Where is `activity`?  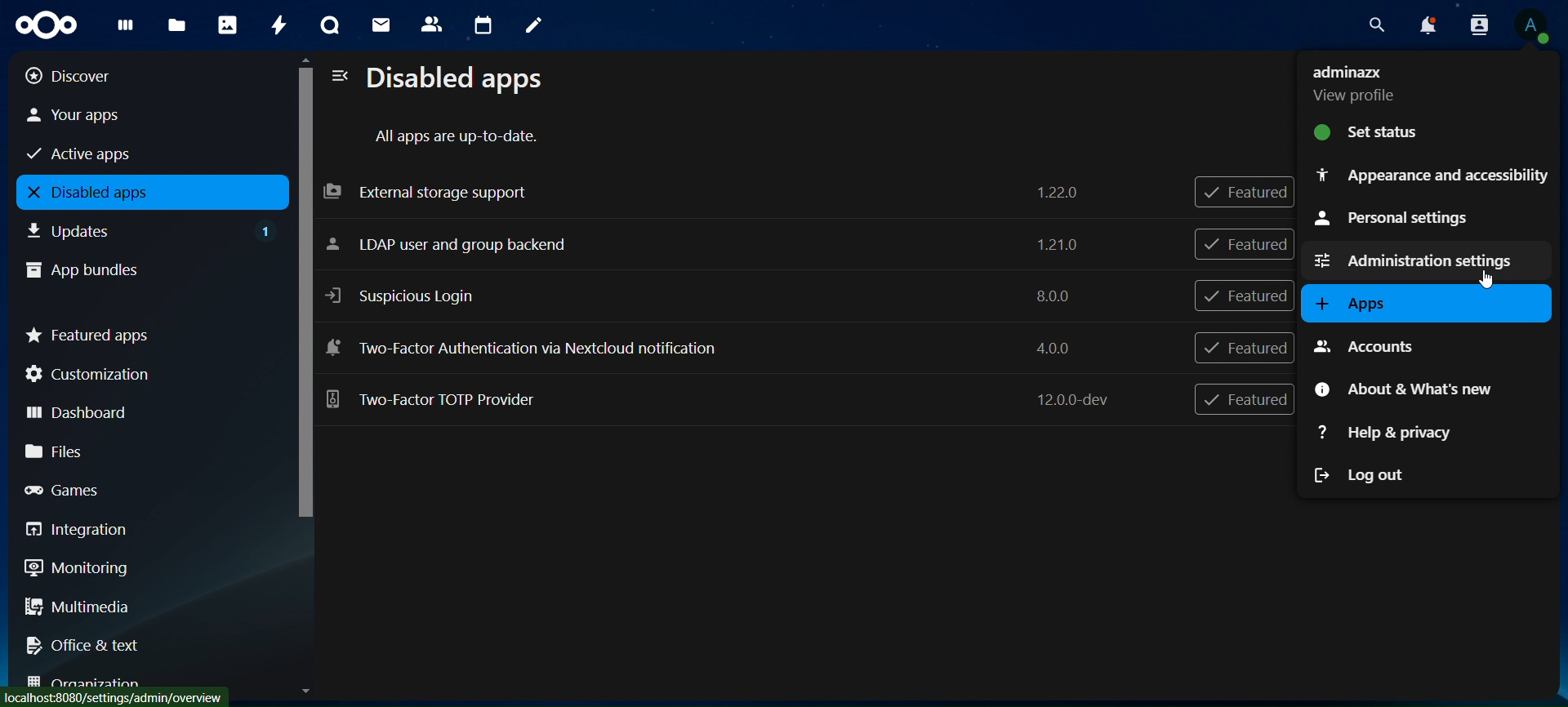 activity is located at coordinates (278, 24).